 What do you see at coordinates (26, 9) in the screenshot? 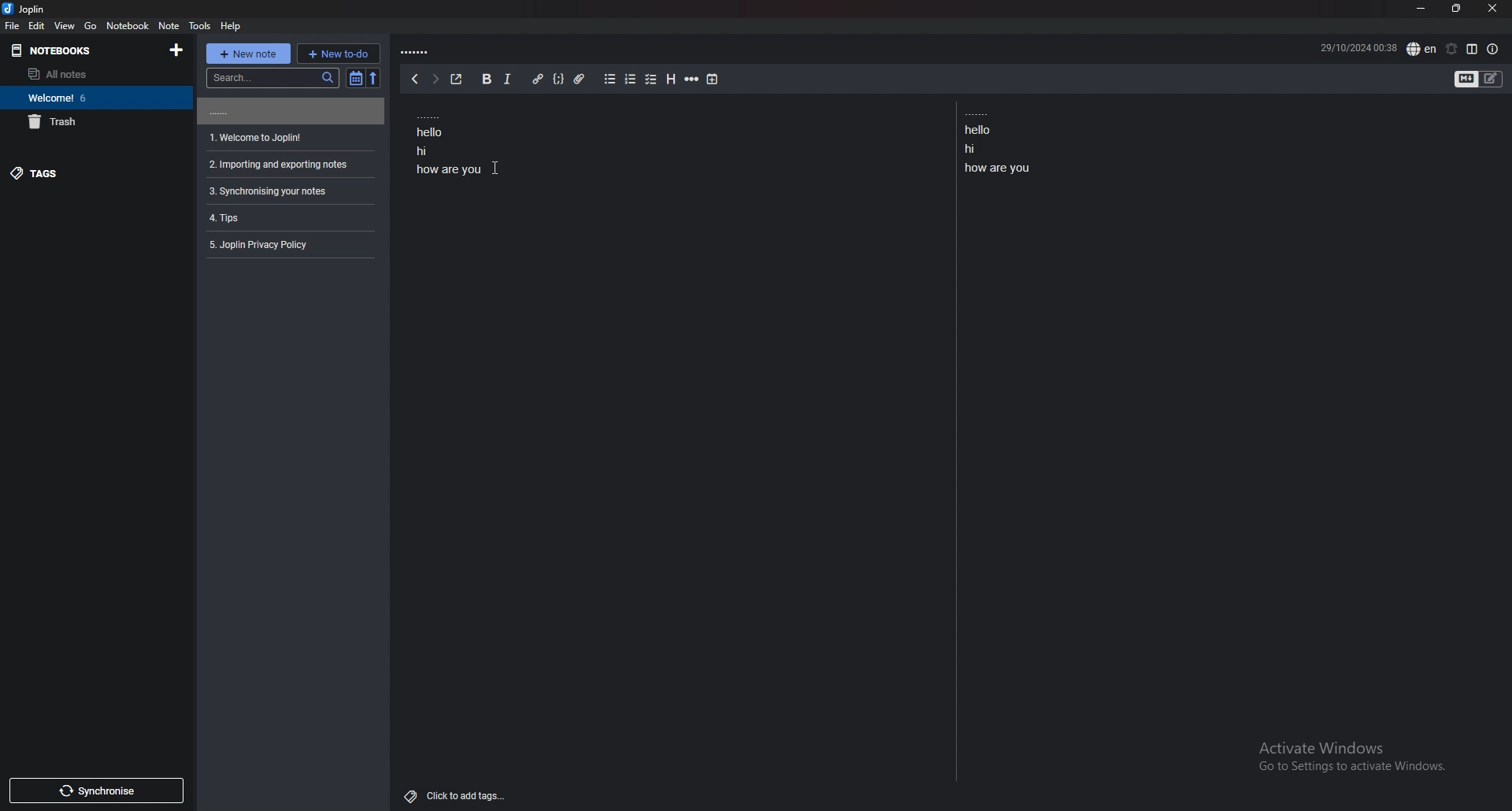
I see `joplin` at bounding box center [26, 9].